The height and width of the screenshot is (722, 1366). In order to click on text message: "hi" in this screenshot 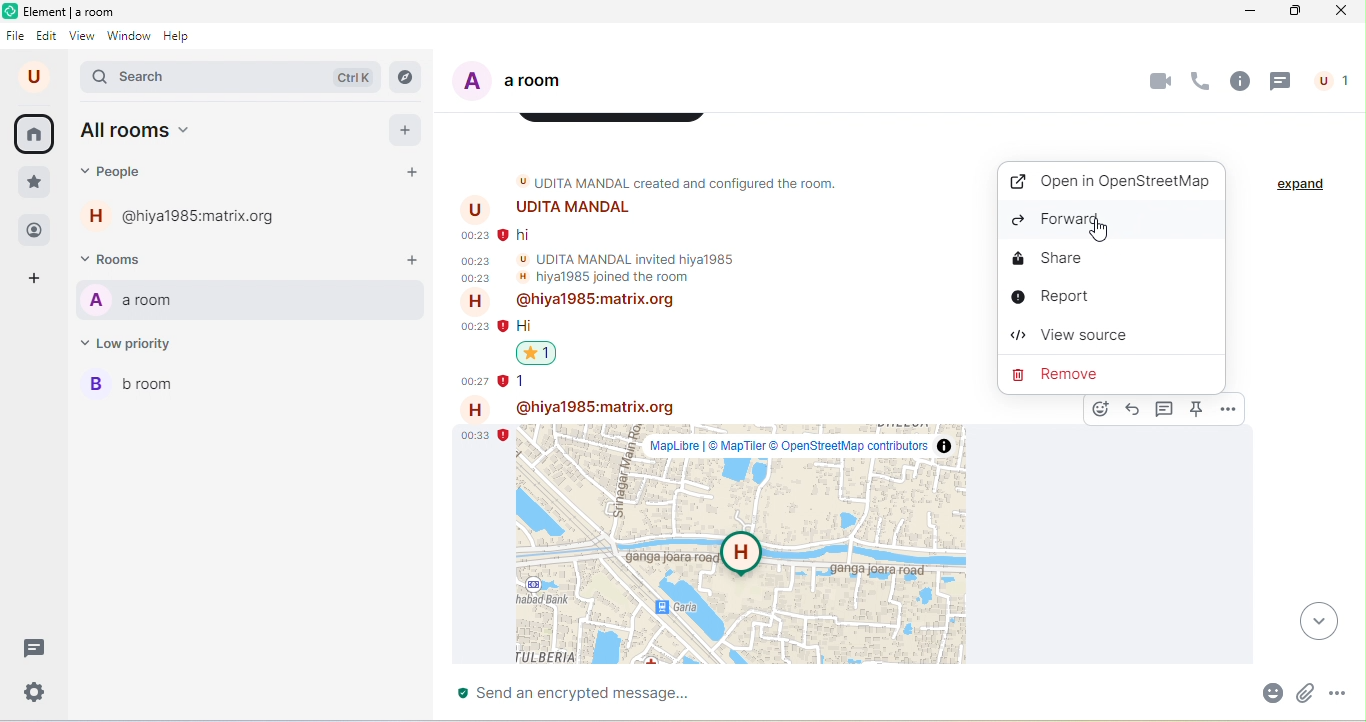, I will do `click(524, 236)`.